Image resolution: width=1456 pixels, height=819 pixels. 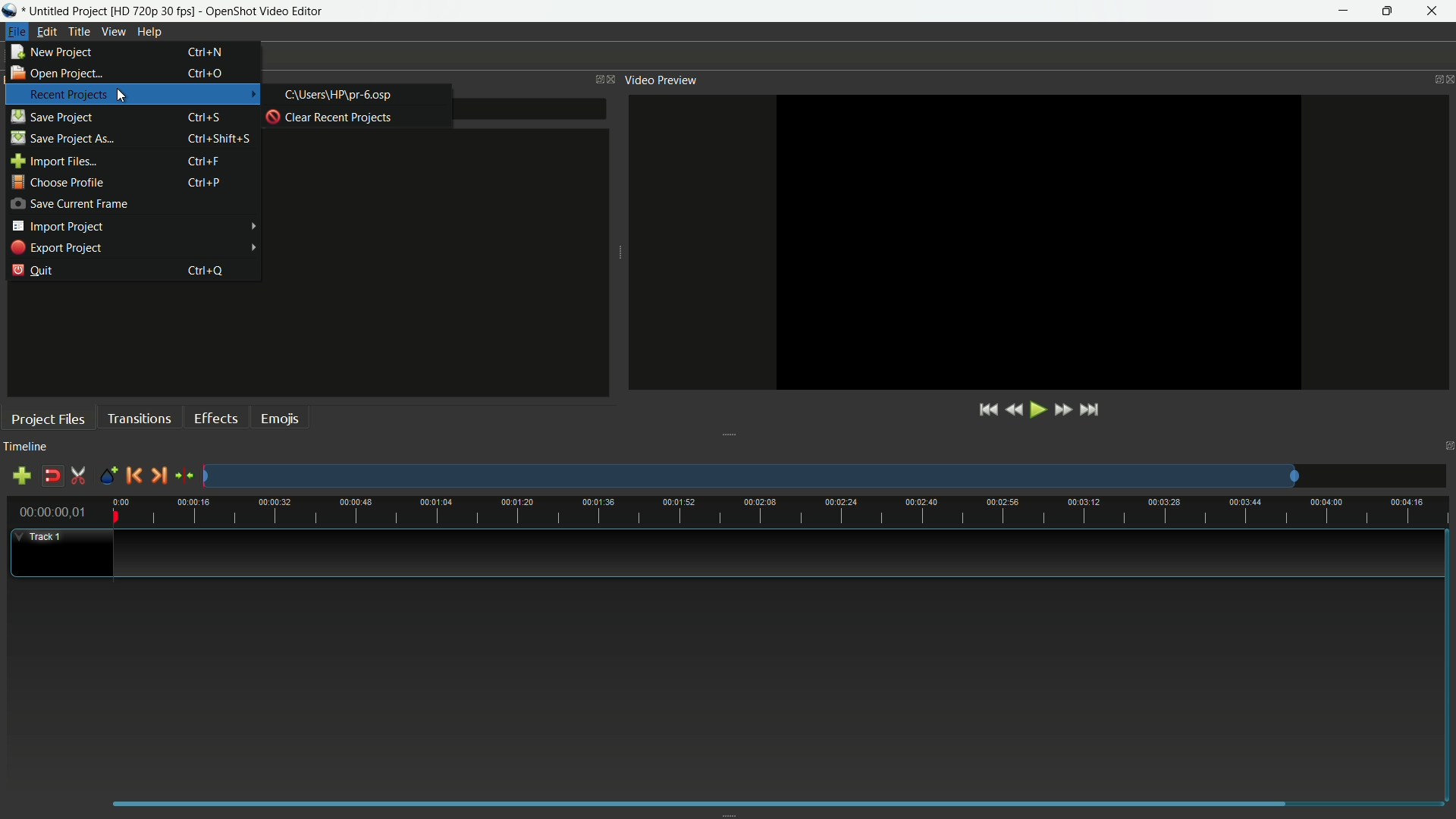 What do you see at coordinates (53, 476) in the screenshot?
I see `disable snap` at bounding box center [53, 476].